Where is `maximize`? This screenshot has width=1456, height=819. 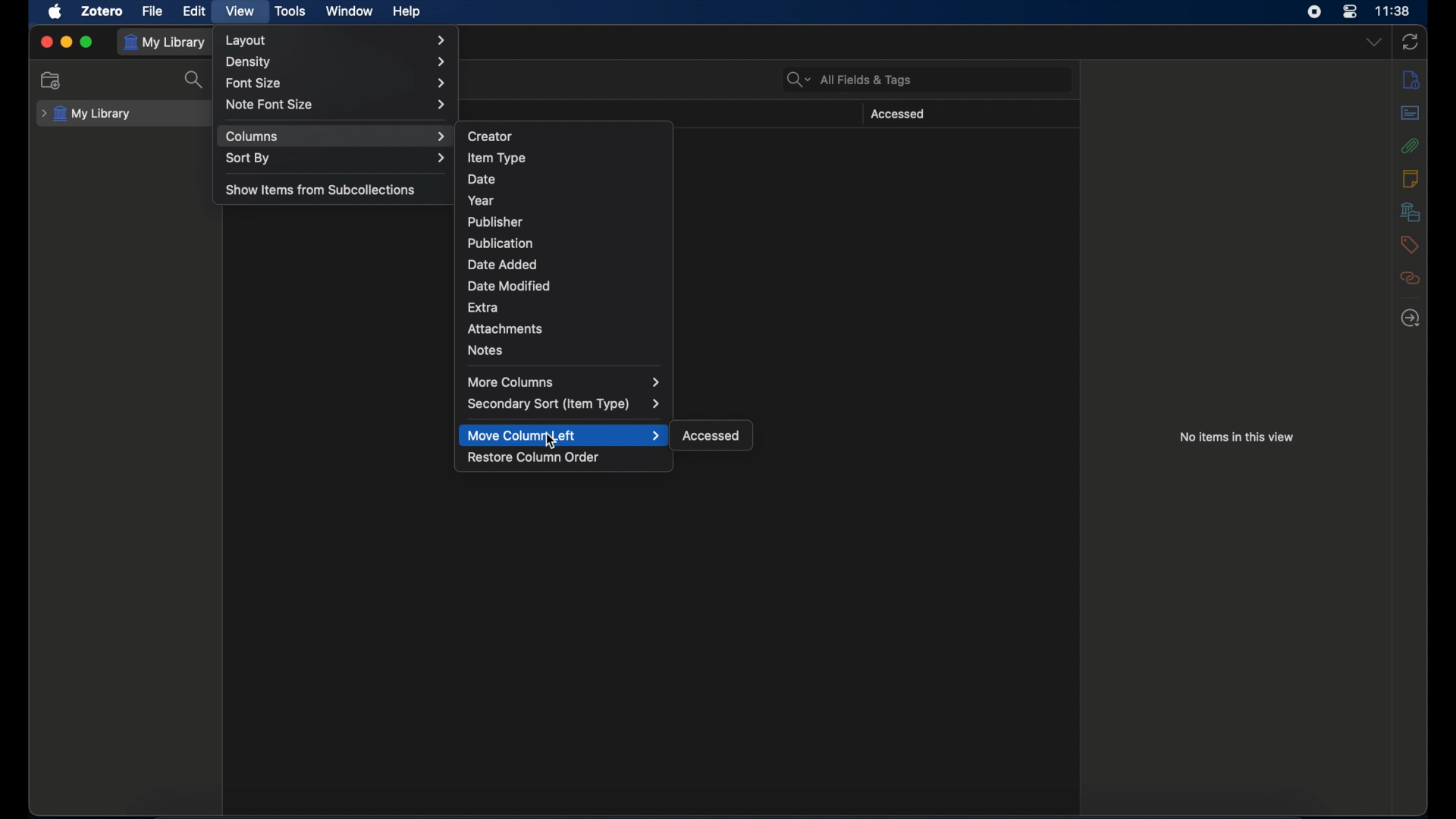 maximize is located at coordinates (86, 42).